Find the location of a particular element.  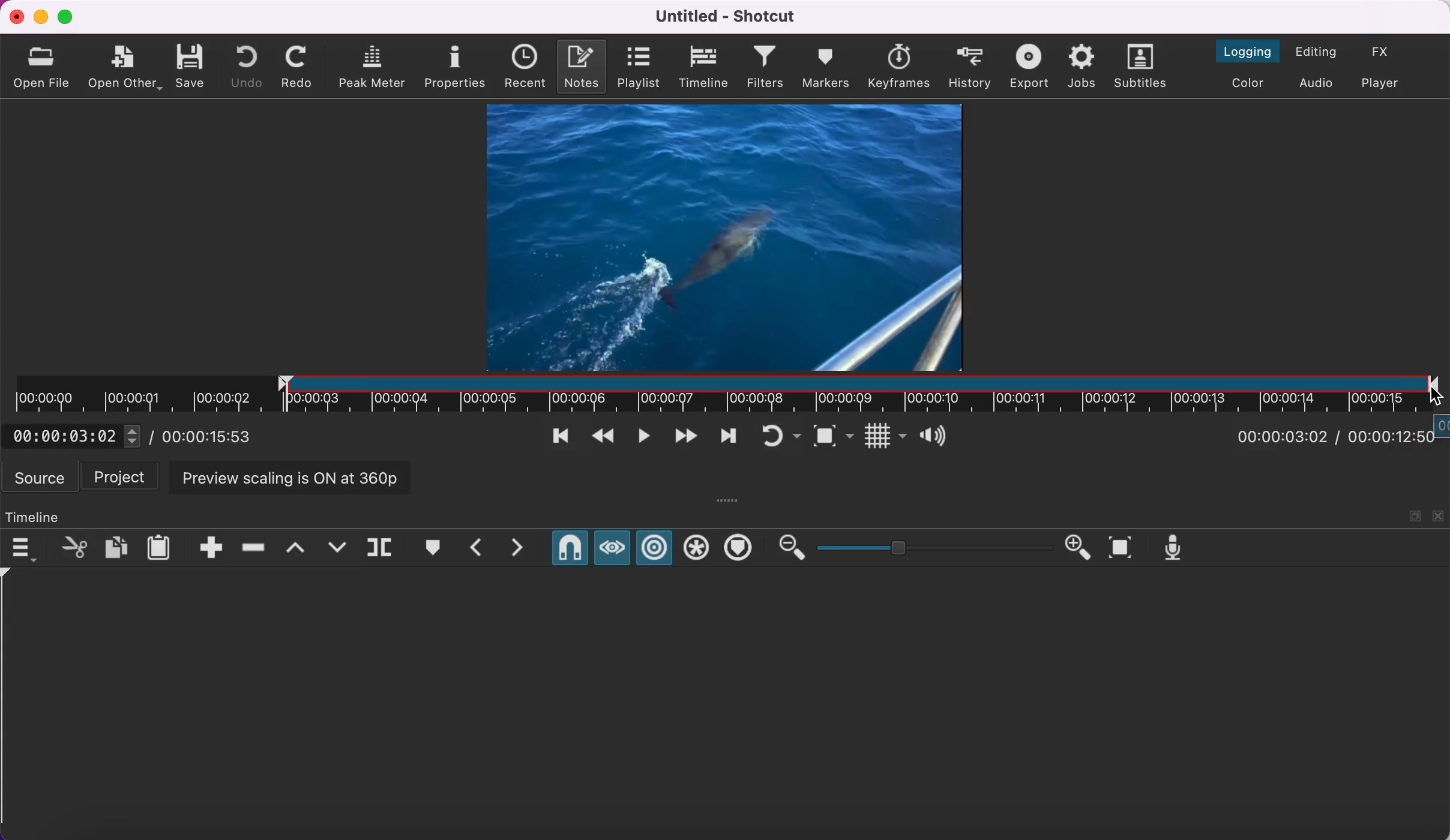

timeline is located at coordinates (703, 67).